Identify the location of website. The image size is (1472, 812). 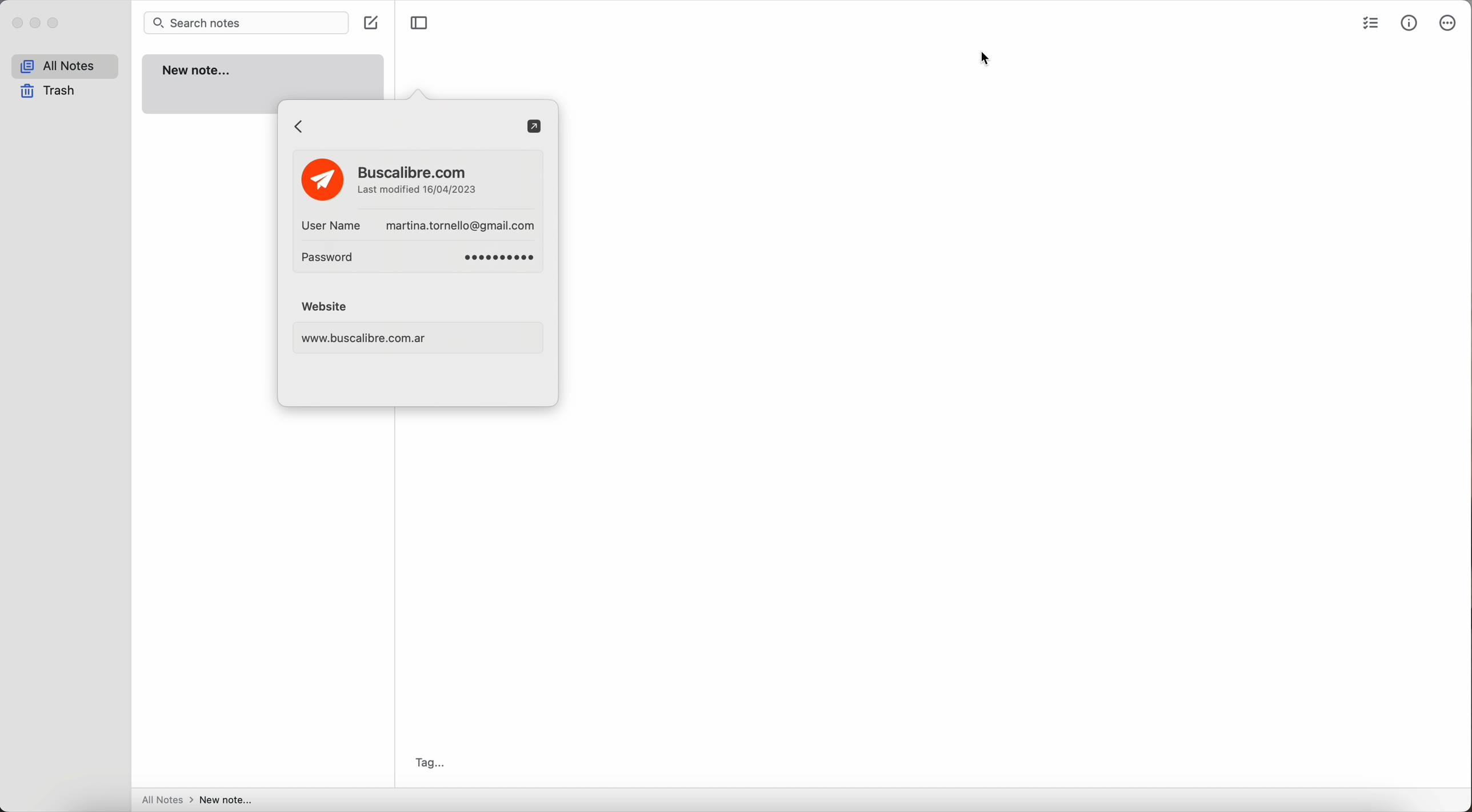
(422, 327).